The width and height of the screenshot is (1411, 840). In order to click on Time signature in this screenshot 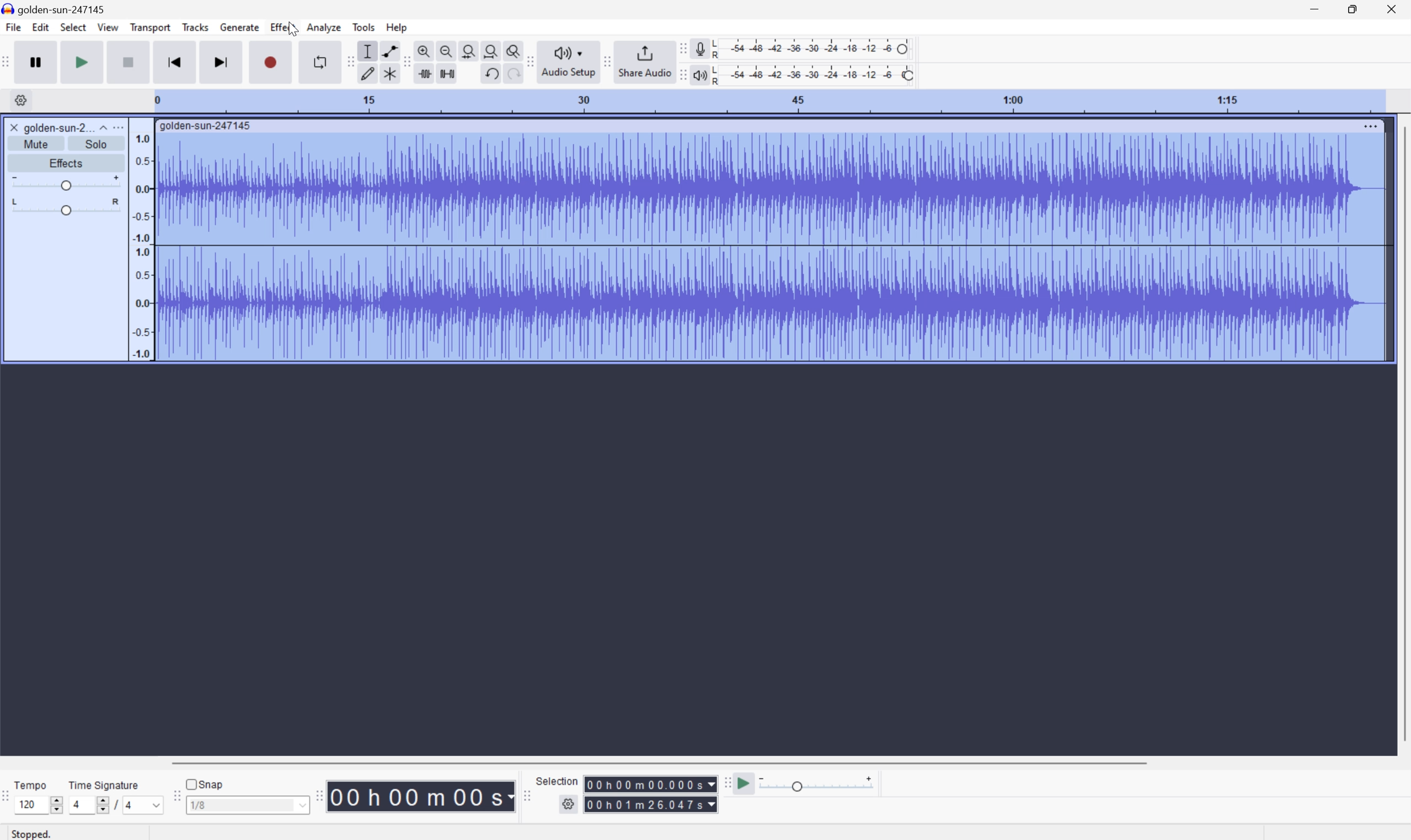, I will do `click(103, 785)`.